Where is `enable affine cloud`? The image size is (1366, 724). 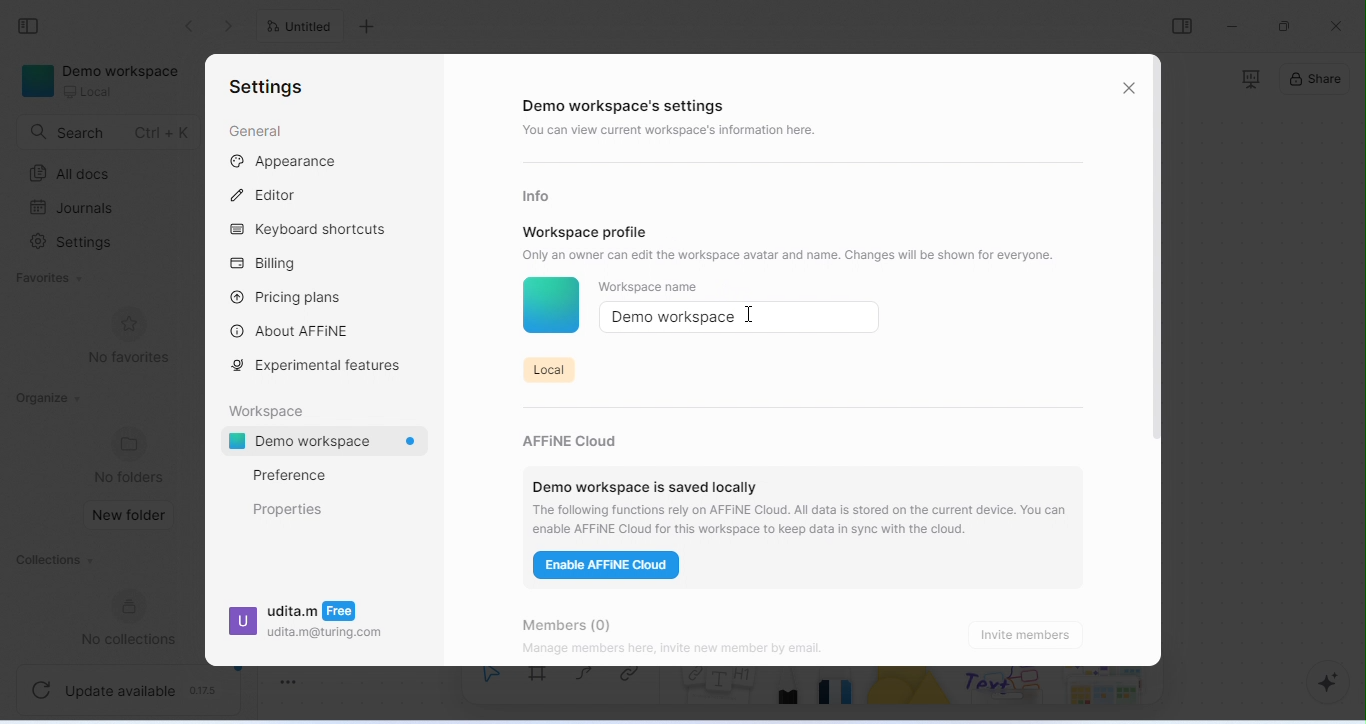
enable affine cloud is located at coordinates (609, 568).